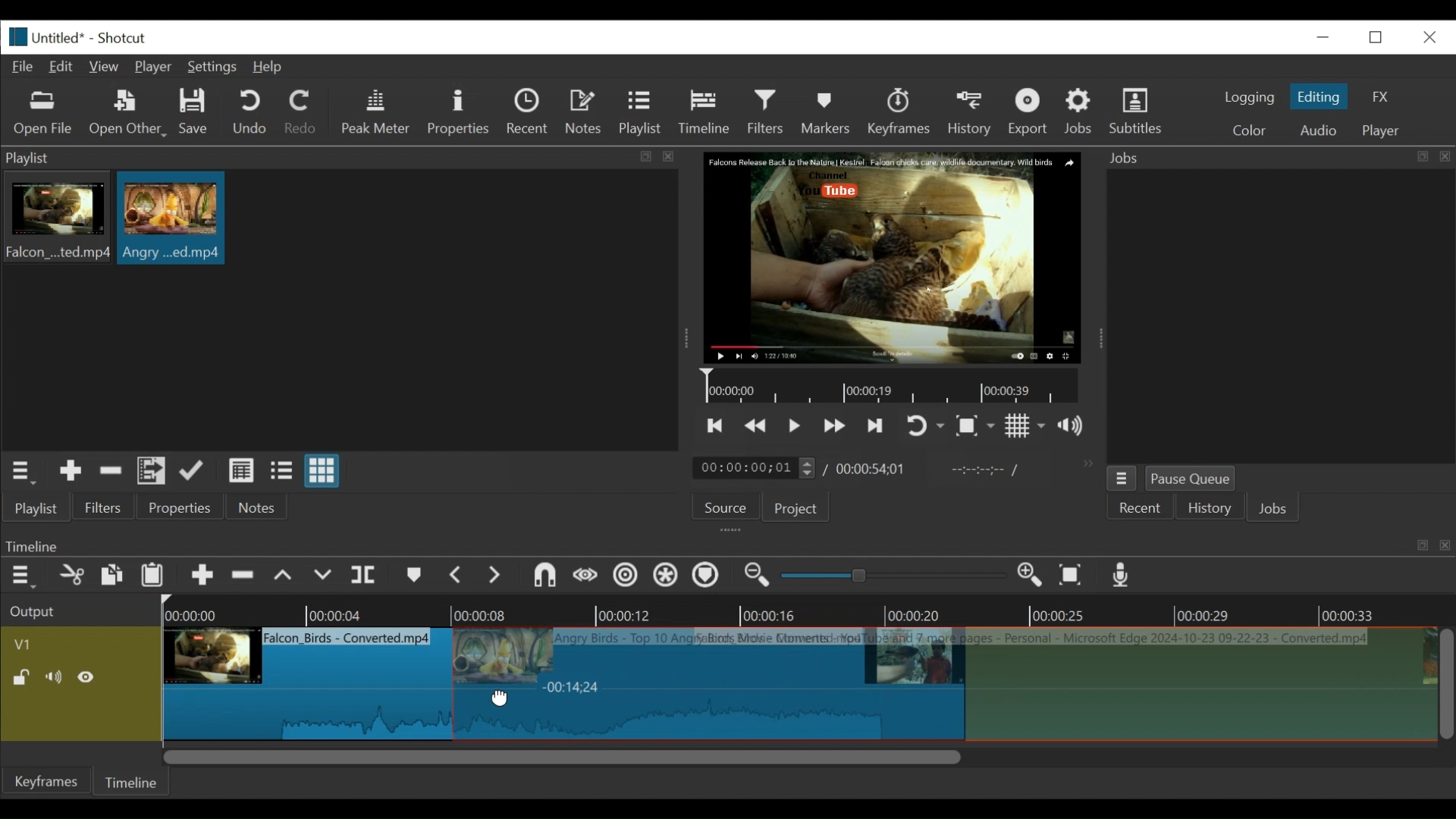 The width and height of the screenshot is (1456, 819). I want to click on Notes, so click(257, 507).